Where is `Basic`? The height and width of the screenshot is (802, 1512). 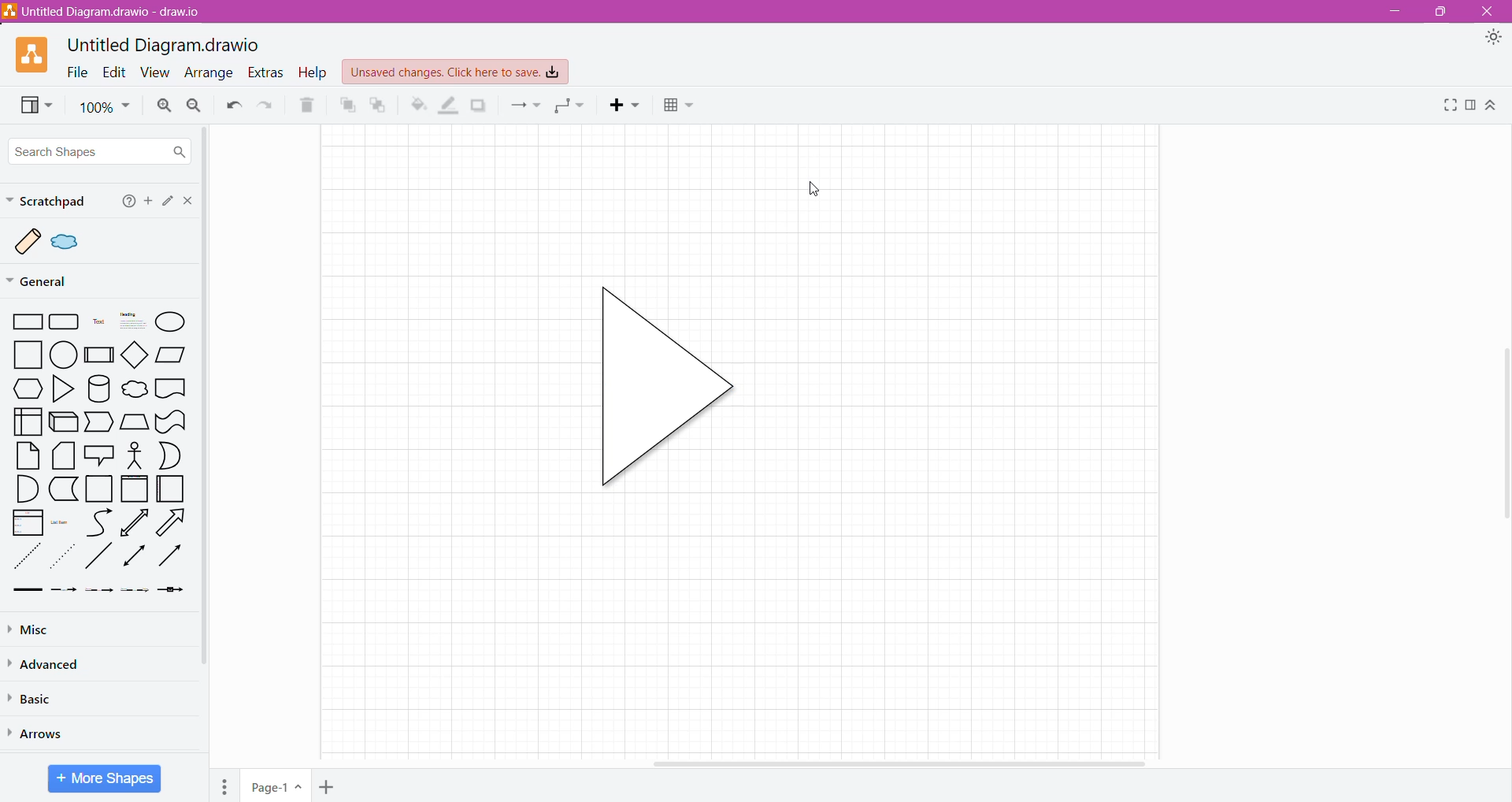
Basic is located at coordinates (34, 699).